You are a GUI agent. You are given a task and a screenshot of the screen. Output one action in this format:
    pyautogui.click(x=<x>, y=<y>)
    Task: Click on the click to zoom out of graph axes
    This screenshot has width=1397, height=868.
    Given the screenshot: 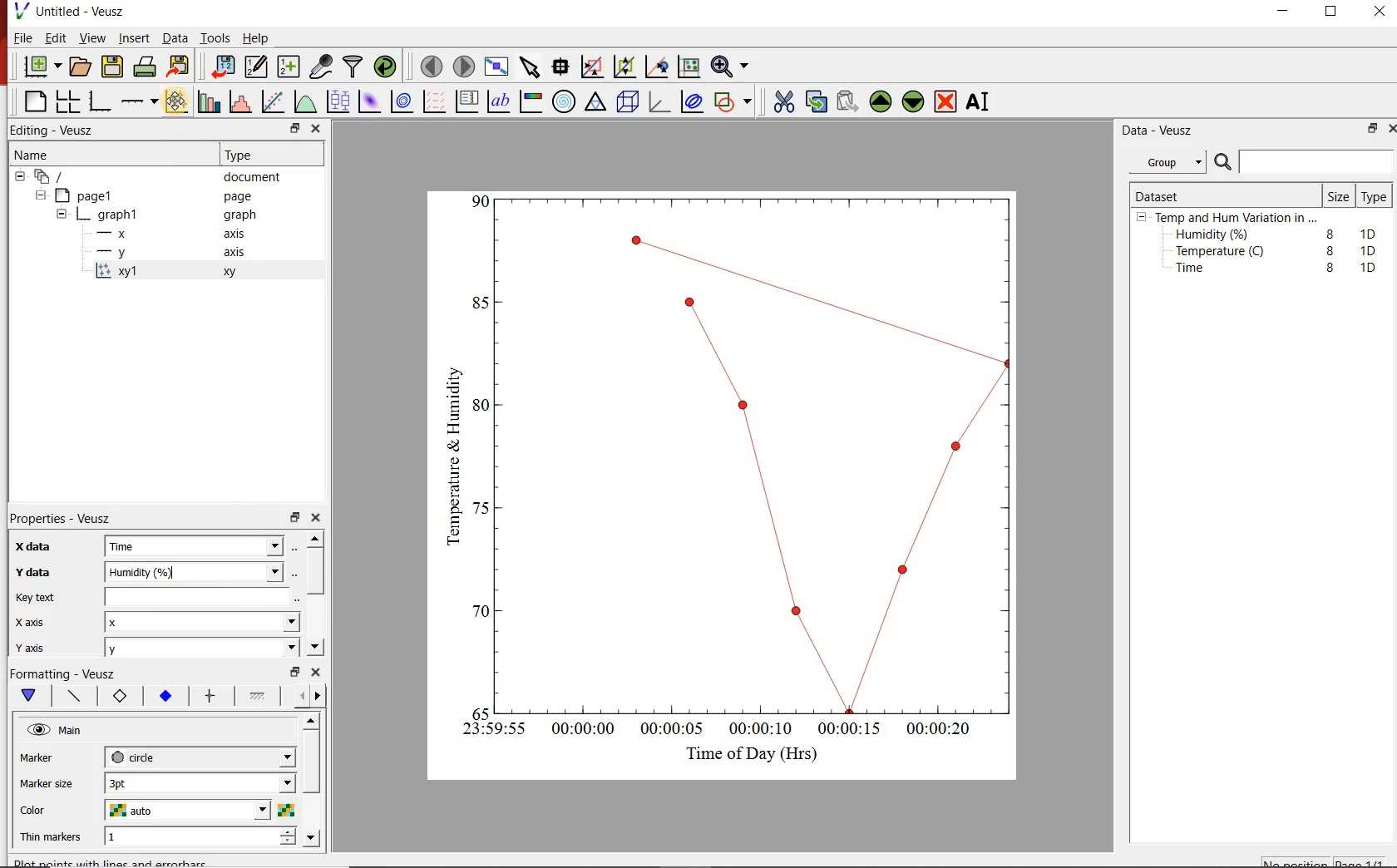 What is the action you would take?
    pyautogui.click(x=625, y=68)
    